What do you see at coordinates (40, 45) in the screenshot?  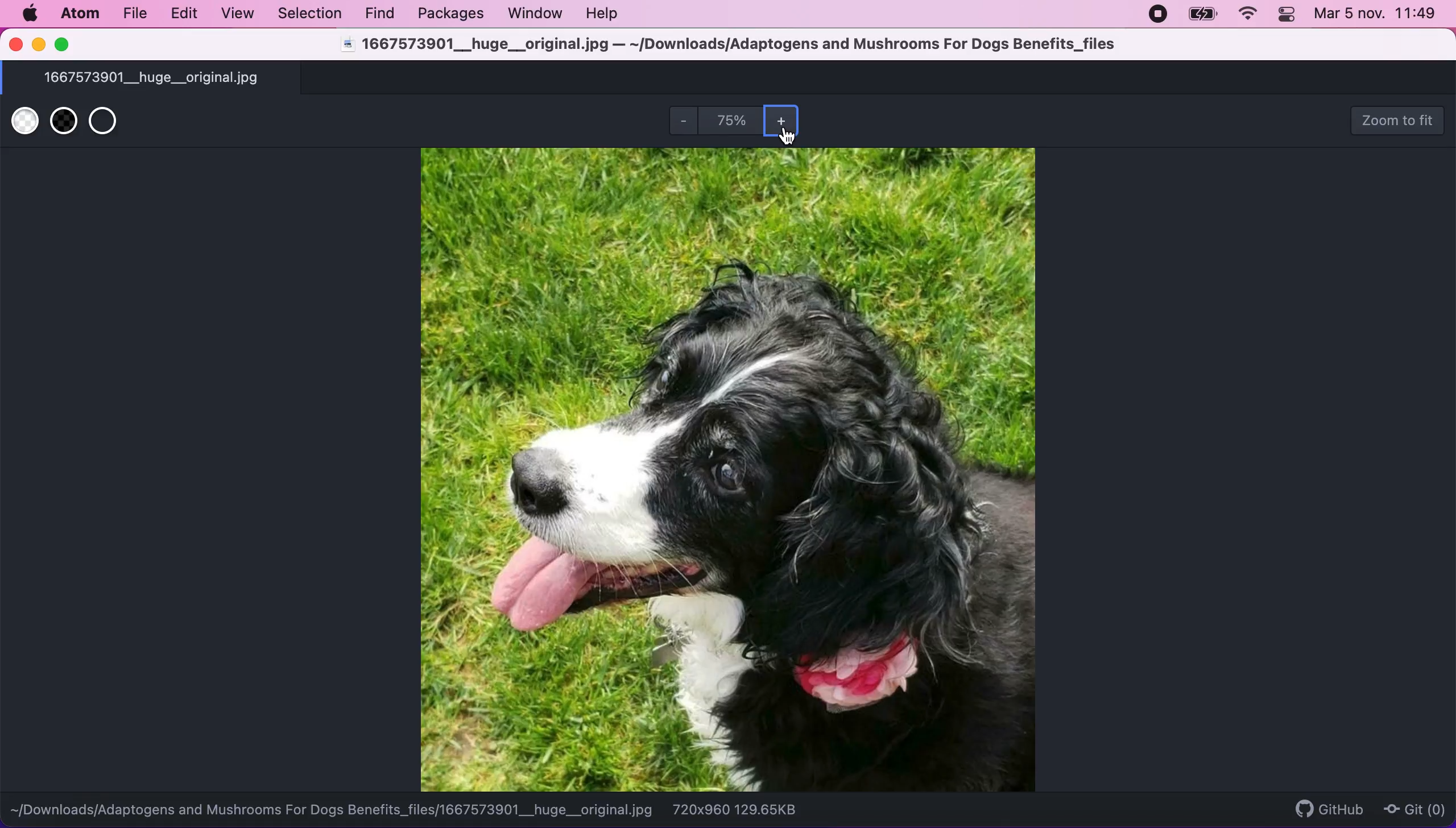 I see `minimize` at bounding box center [40, 45].